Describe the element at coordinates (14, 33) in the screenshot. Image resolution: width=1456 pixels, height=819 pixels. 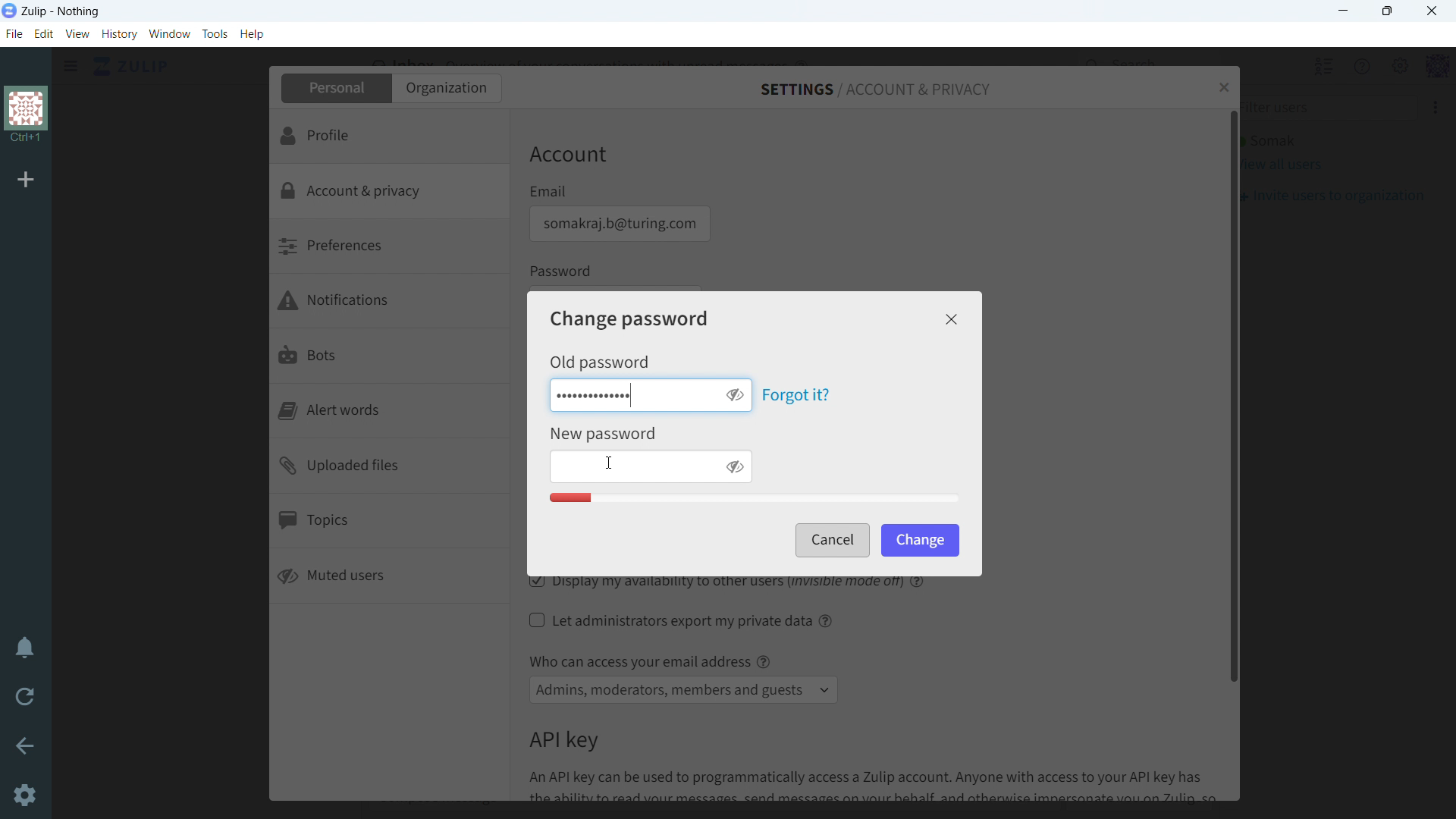
I see `file` at that location.